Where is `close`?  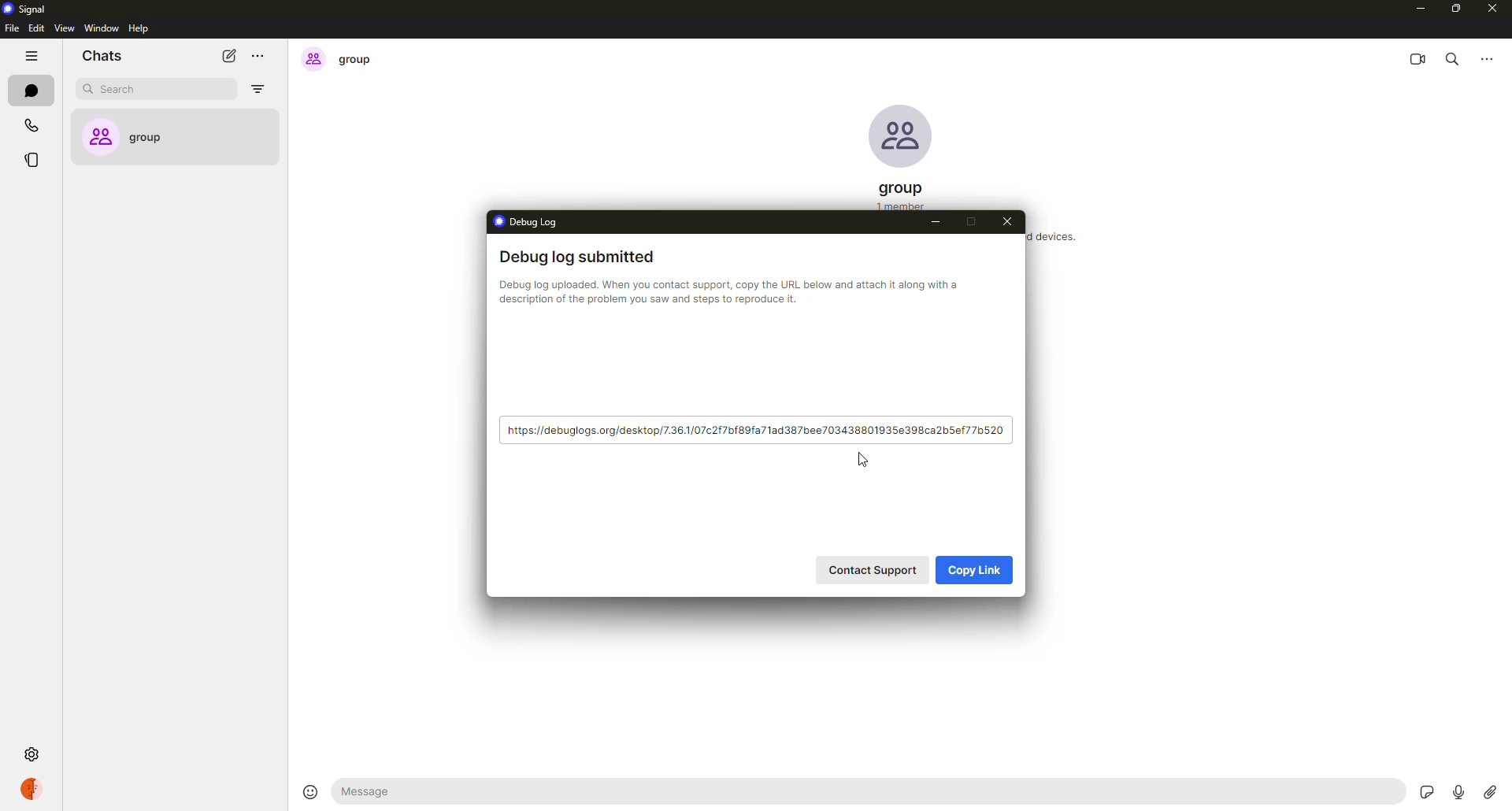 close is located at coordinates (1014, 224).